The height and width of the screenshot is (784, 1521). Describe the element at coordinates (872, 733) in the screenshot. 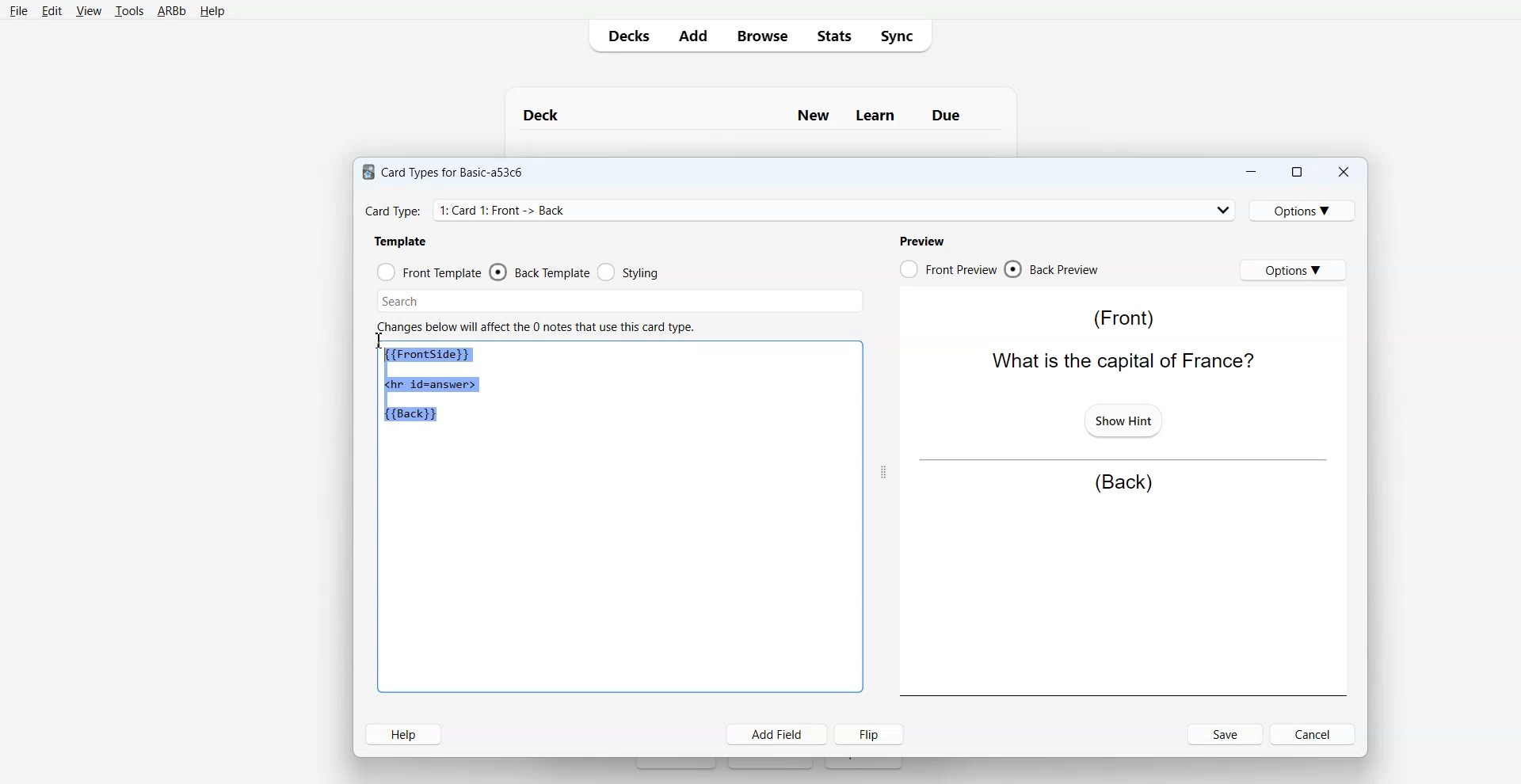

I see `Flip` at that location.